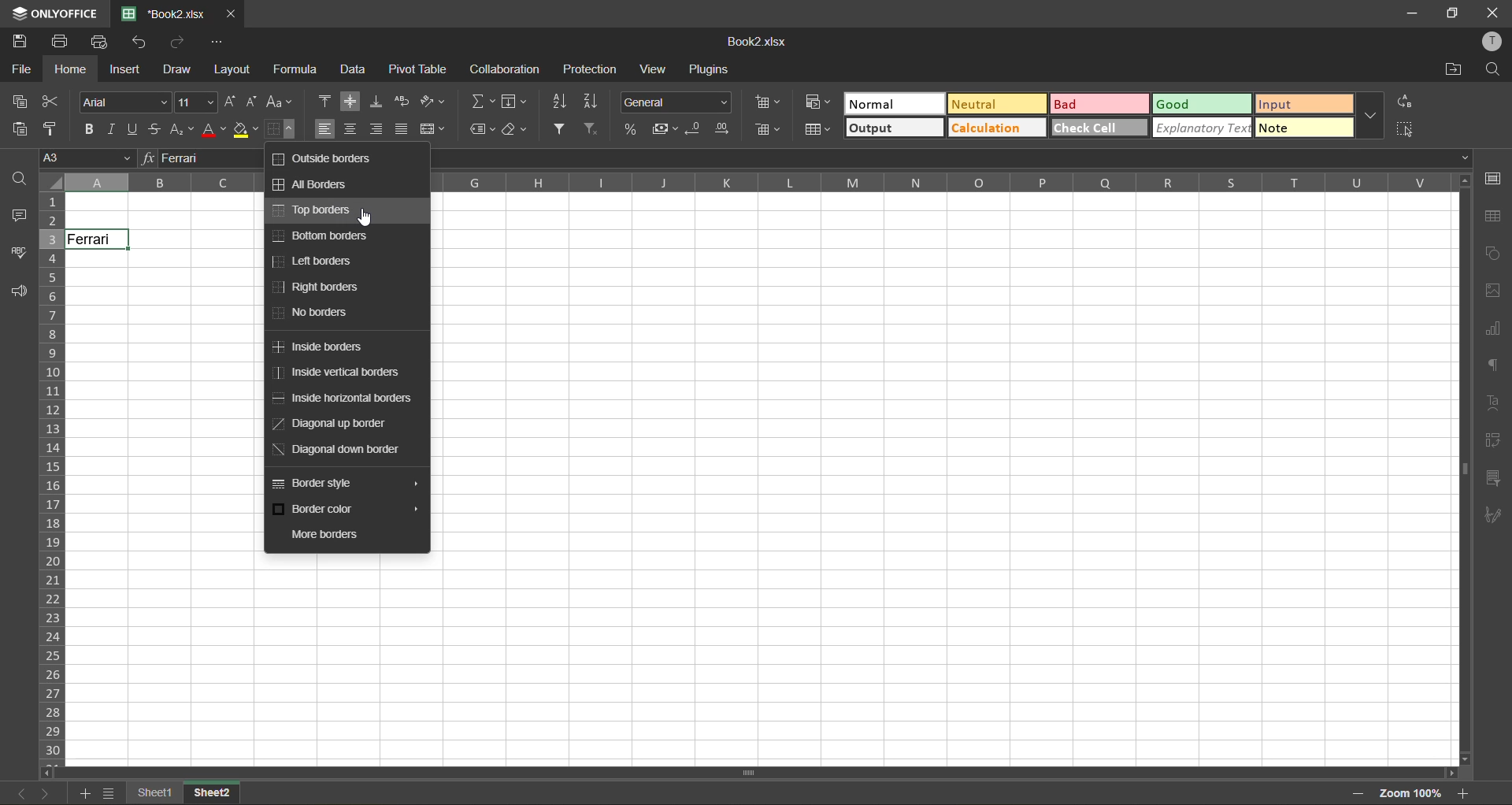  Describe the element at coordinates (1493, 70) in the screenshot. I see `find` at that location.